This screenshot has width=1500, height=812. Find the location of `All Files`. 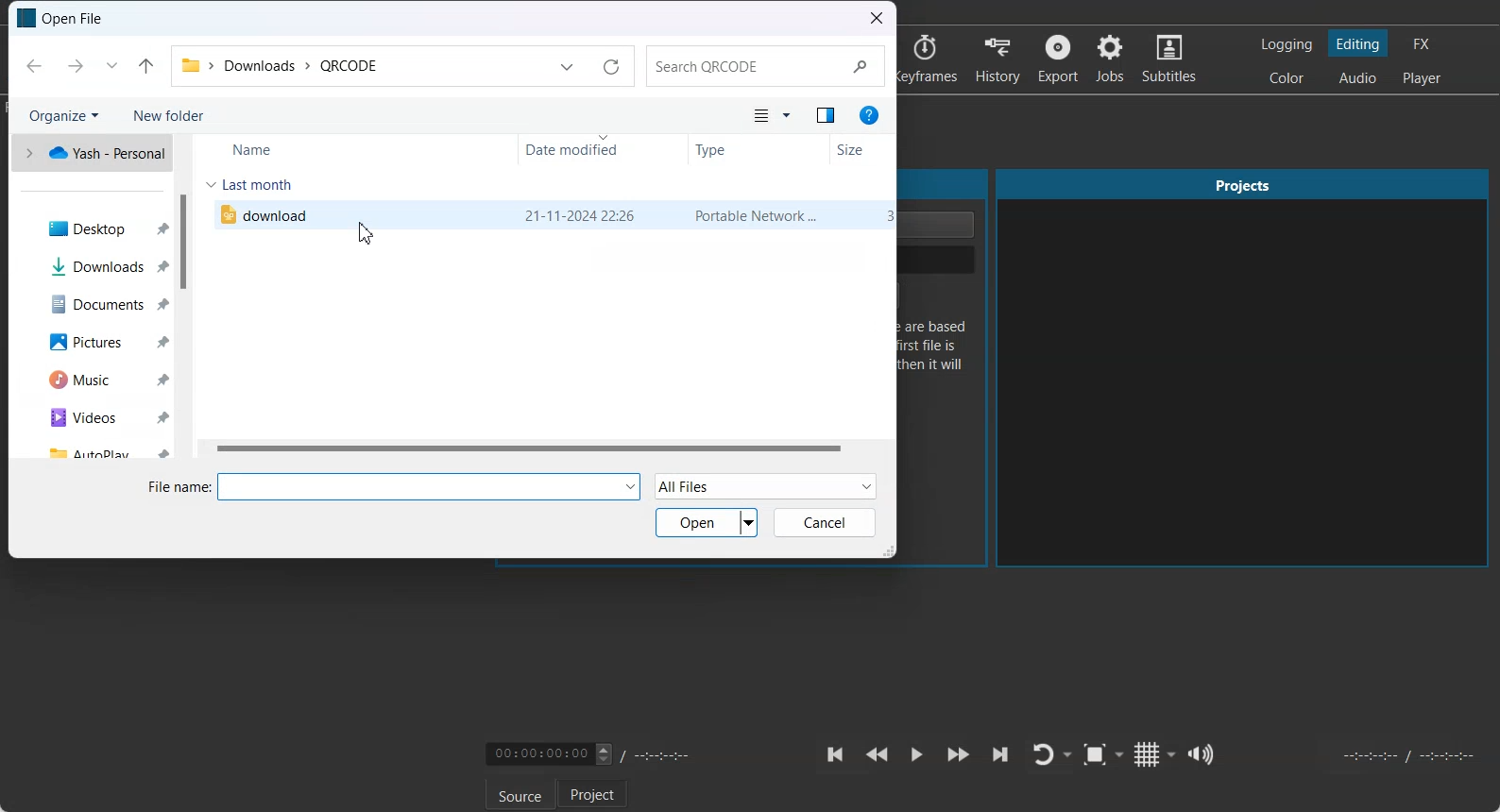

All Files is located at coordinates (766, 486).